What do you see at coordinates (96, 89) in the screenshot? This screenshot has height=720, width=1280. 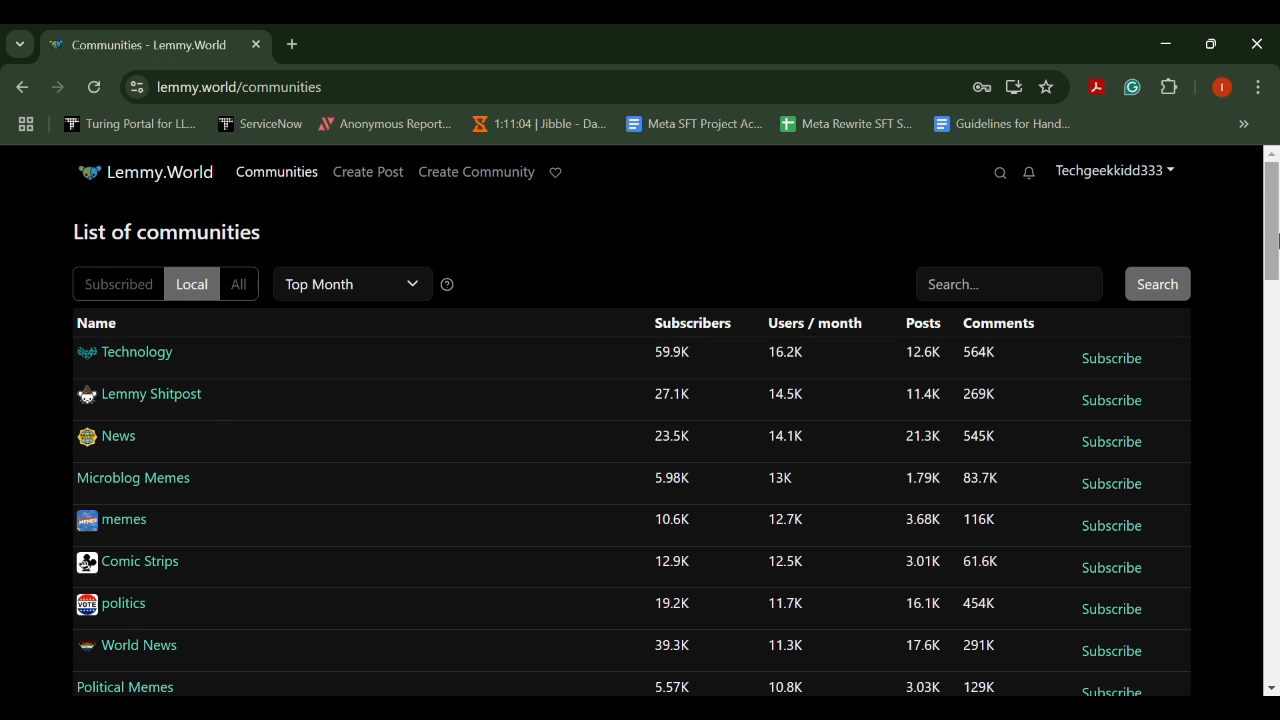 I see `Refresh Webpage` at bounding box center [96, 89].